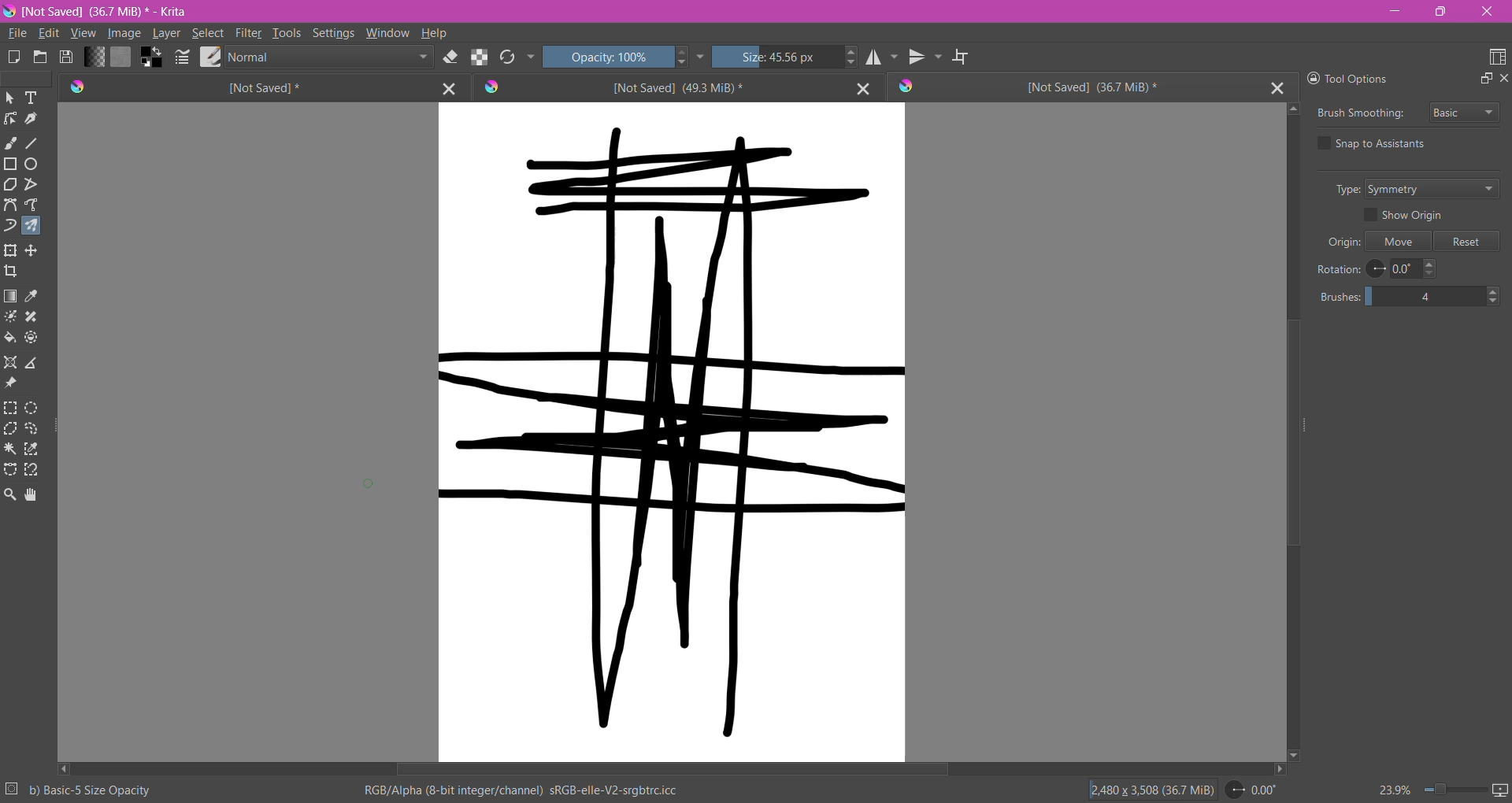  What do you see at coordinates (182, 58) in the screenshot?
I see `Edit Bursh Settings` at bounding box center [182, 58].